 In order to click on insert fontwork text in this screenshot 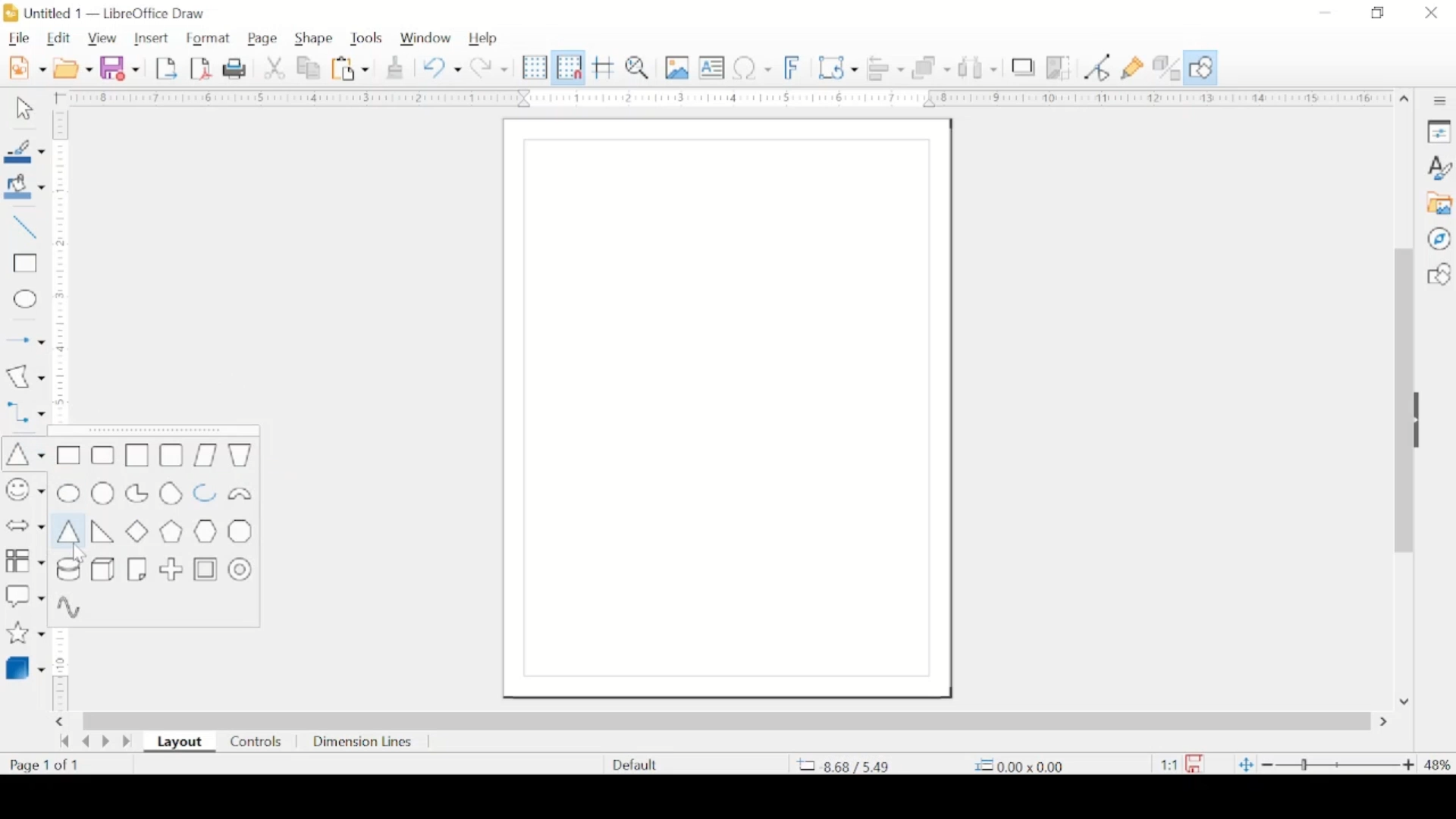, I will do `click(794, 67)`.